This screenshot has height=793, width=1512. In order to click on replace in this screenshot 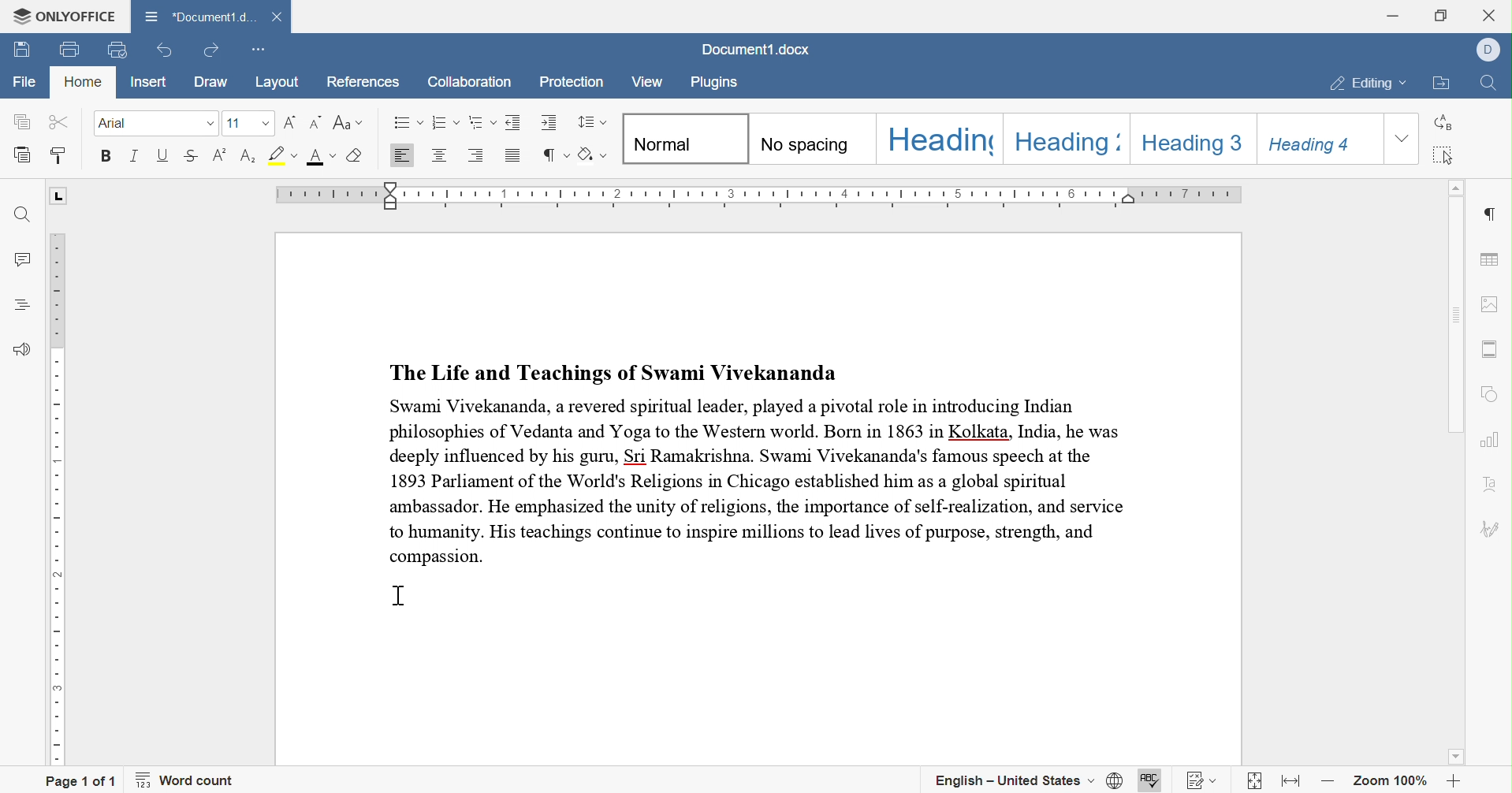, I will do `click(1441, 123)`.